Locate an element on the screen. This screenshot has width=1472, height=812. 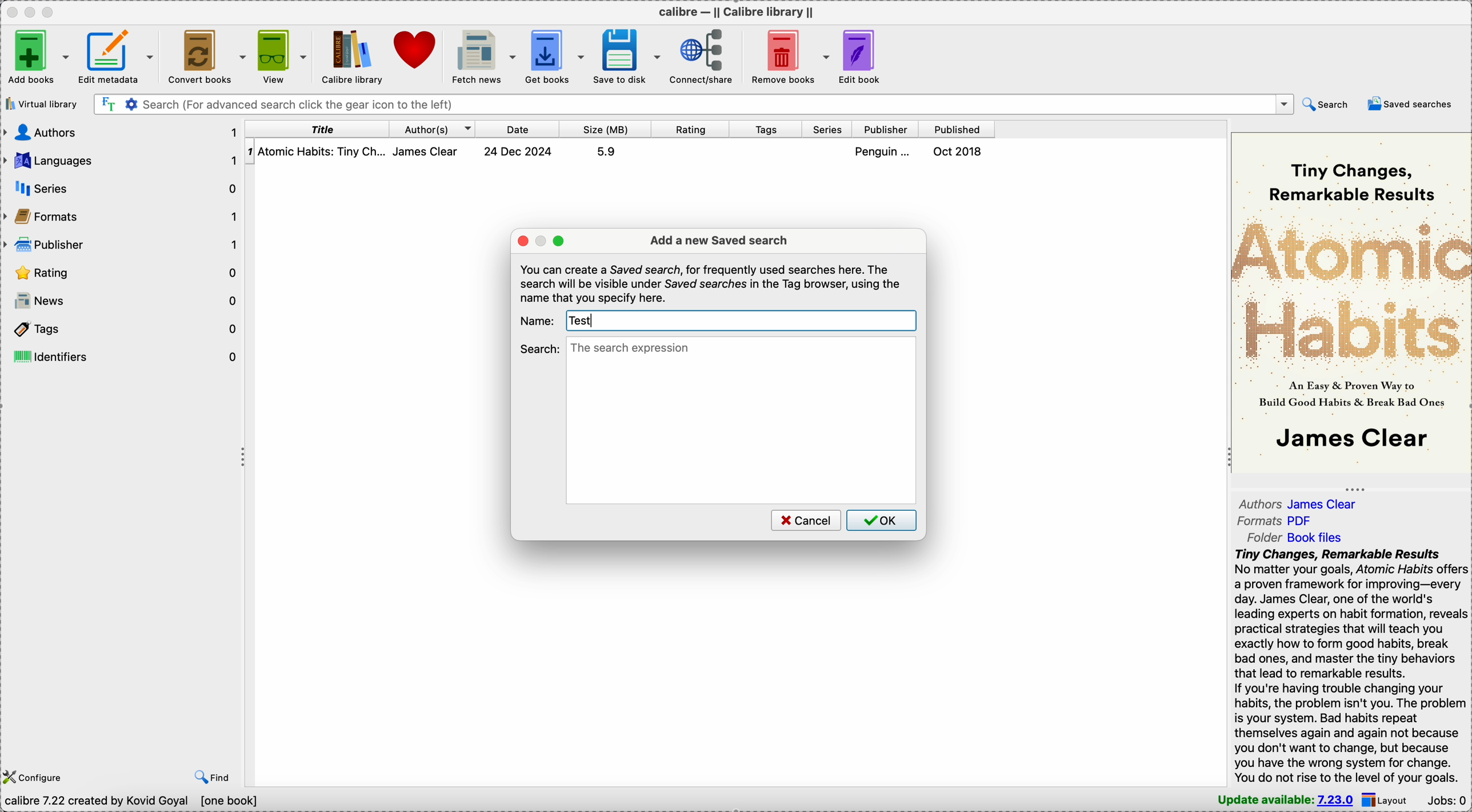
edit book is located at coordinates (867, 56).